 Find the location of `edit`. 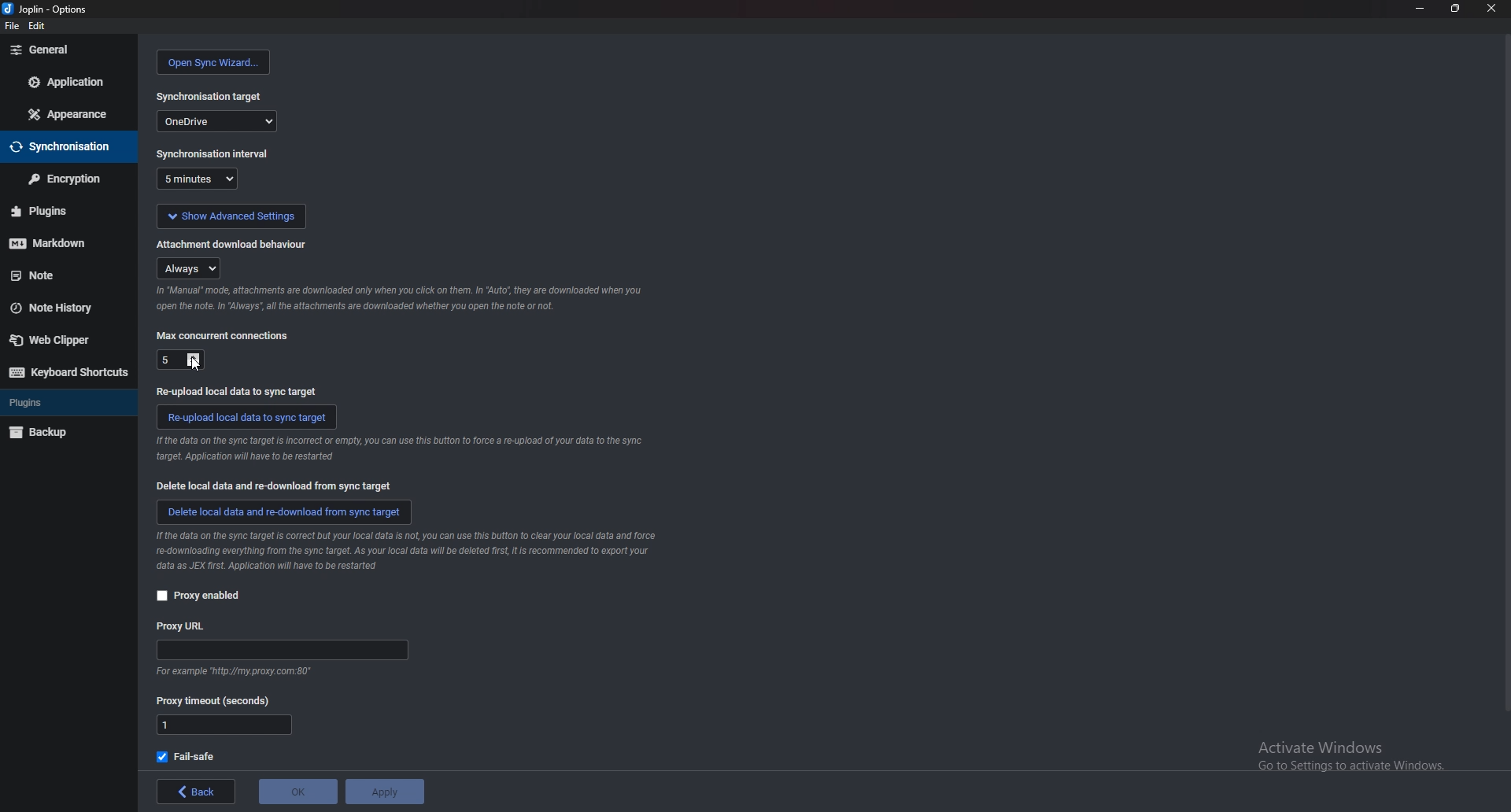

edit is located at coordinates (38, 24).